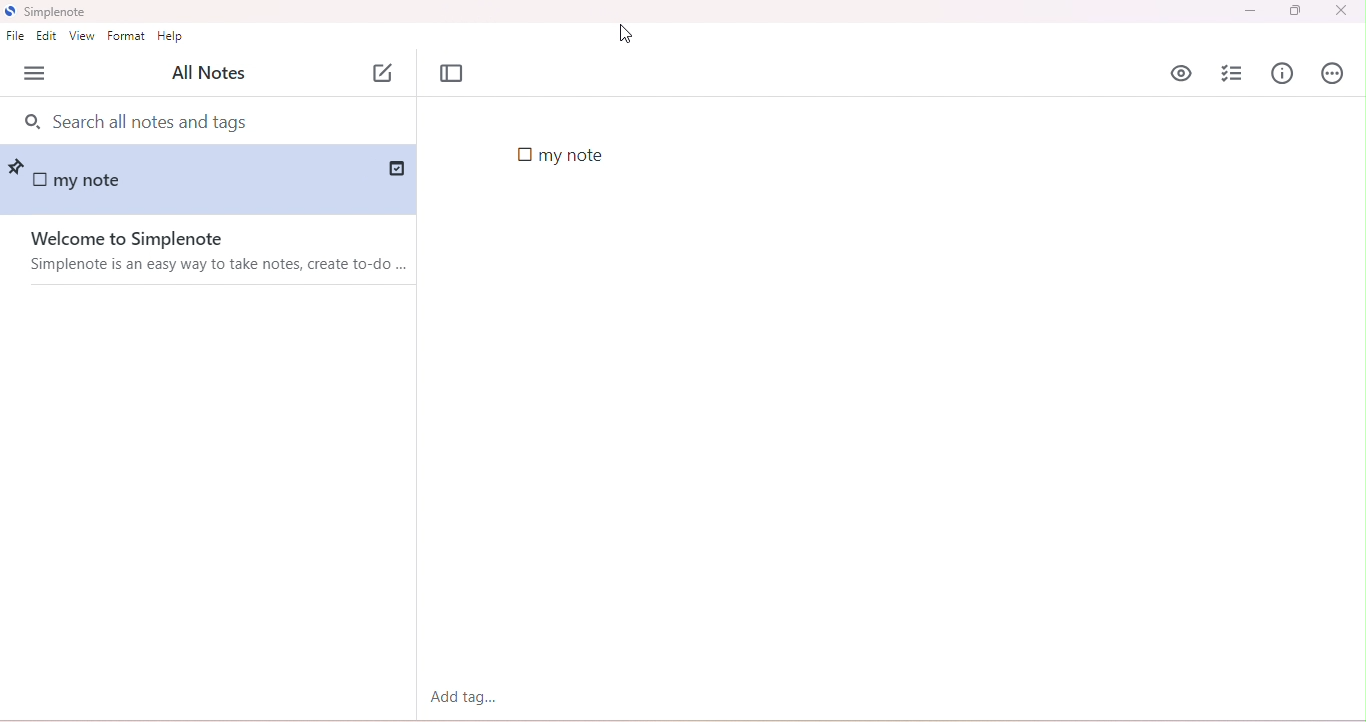 The image size is (1366, 722). What do you see at coordinates (1296, 11) in the screenshot?
I see `maximize` at bounding box center [1296, 11].